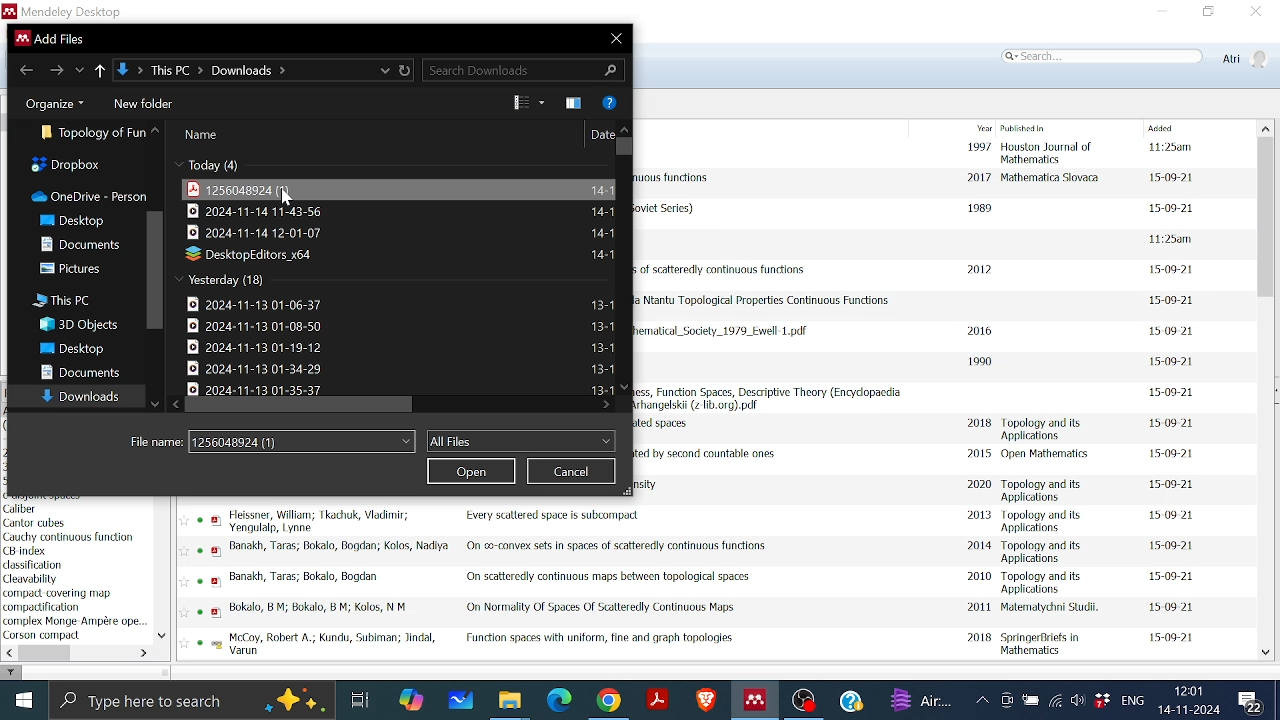 The width and height of the screenshot is (1280, 720). I want to click on Move down, so click(1267, 653).